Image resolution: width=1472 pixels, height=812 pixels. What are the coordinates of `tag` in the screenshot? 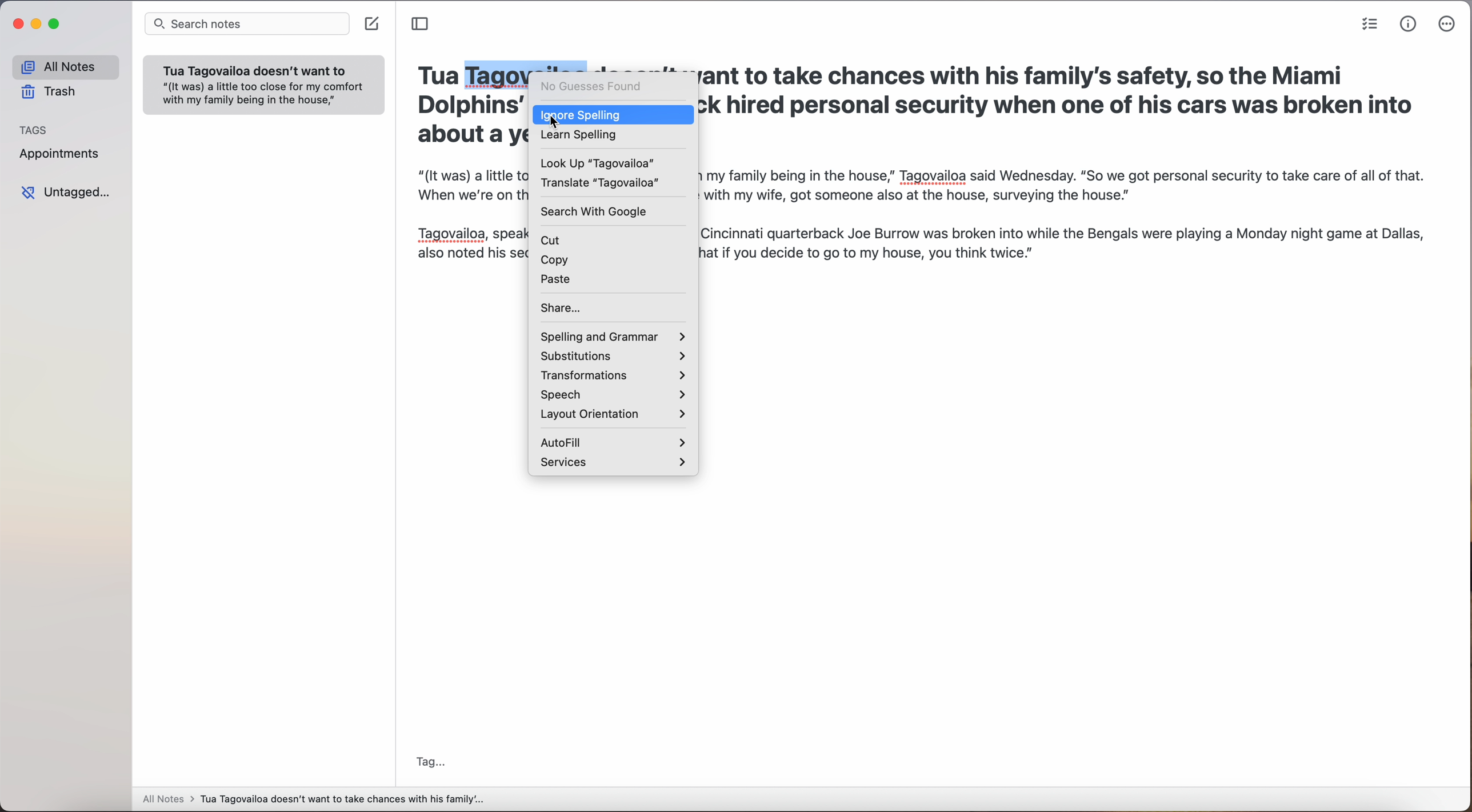 It's located at (433, 760).